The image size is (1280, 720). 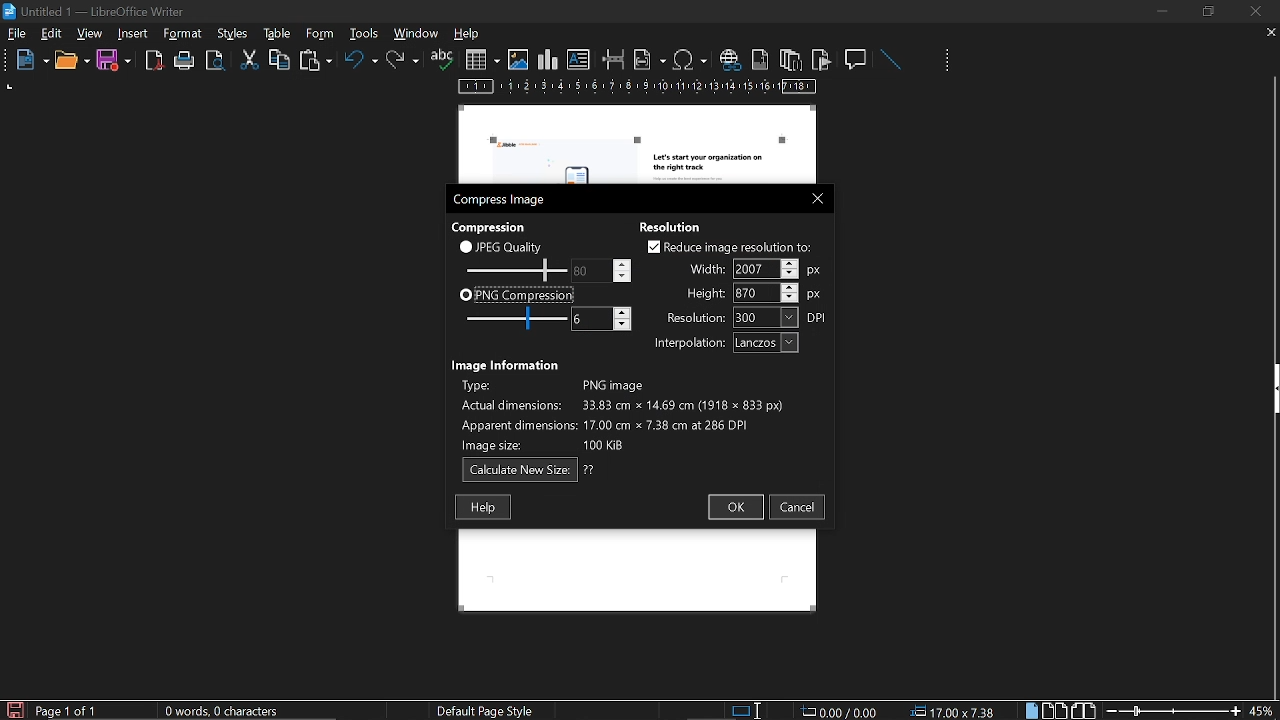 I want to click on current zoom, so click(x=1263, y=710).